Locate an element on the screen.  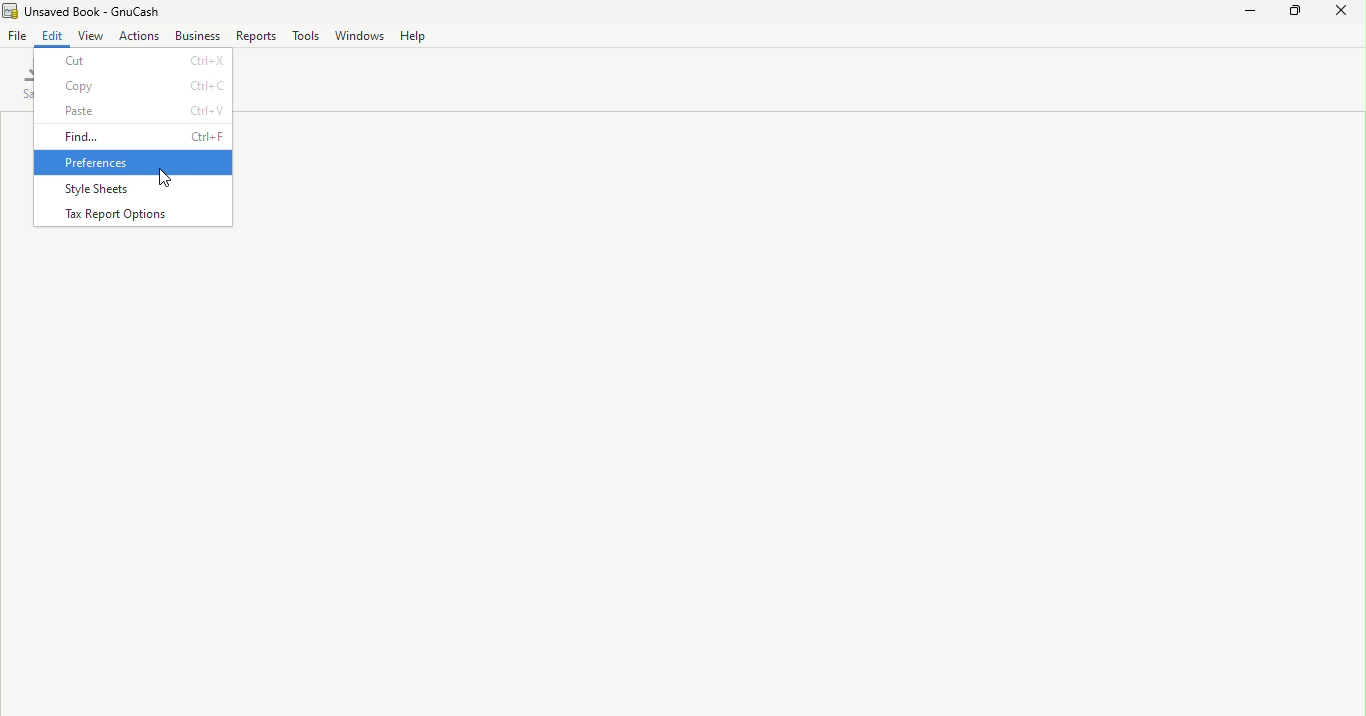
Find is located at coordinates (134, 138).